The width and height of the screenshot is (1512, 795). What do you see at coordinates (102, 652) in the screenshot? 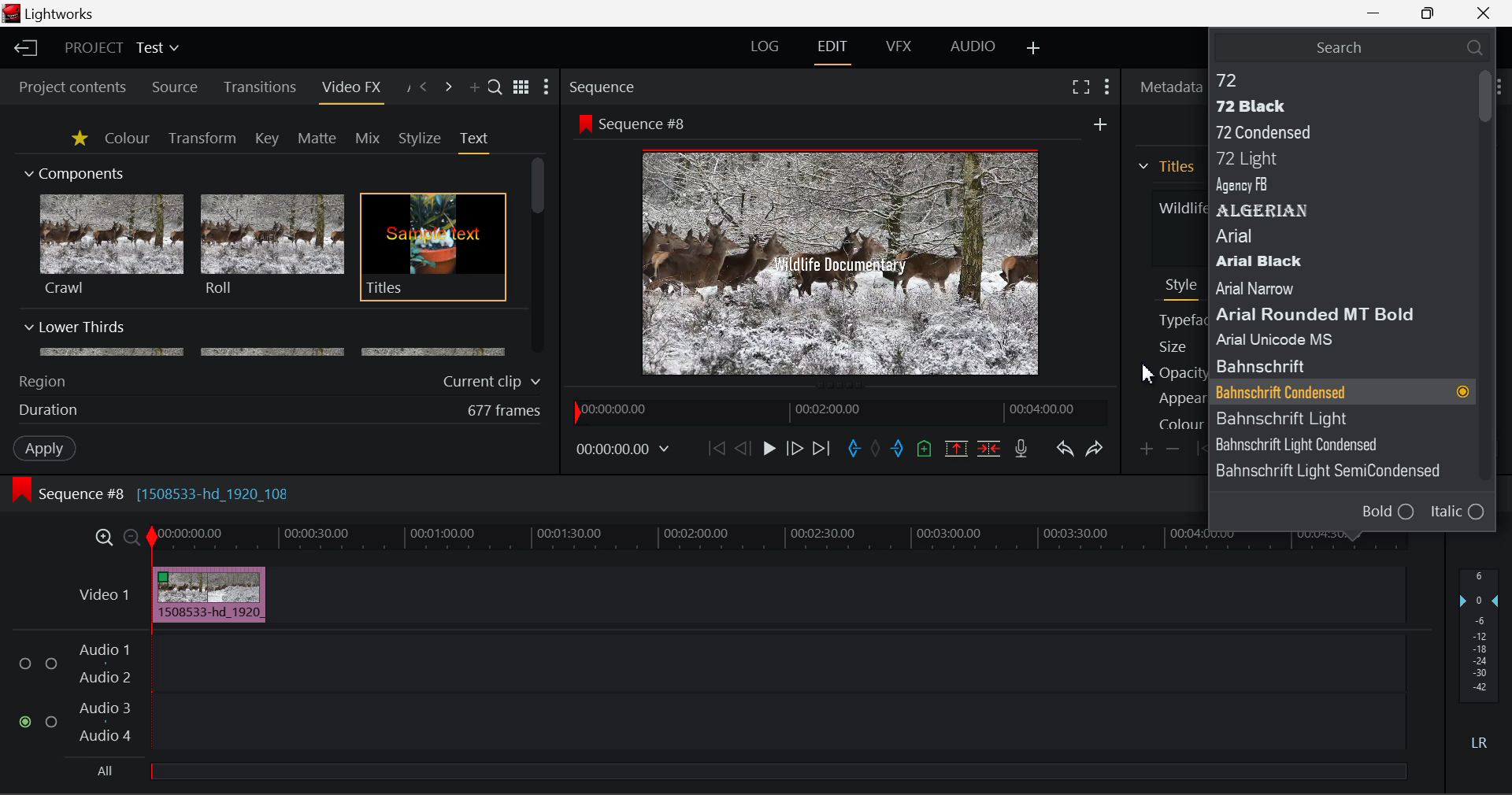
I see `Audio 1` at bounding box center [102, 652].